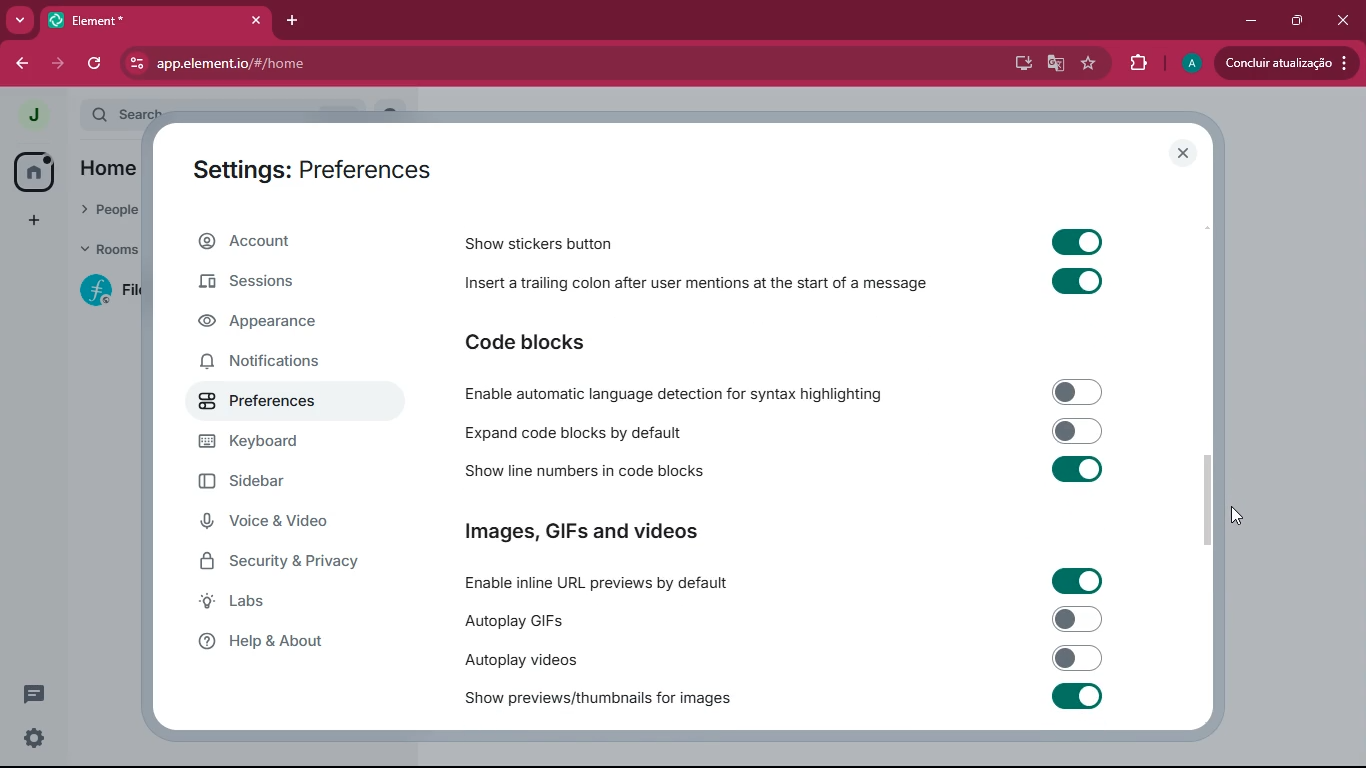 The image size is (1366, 768). Describe the element at coordinates (107, 171) in the screenshot. I see `home` at that location.